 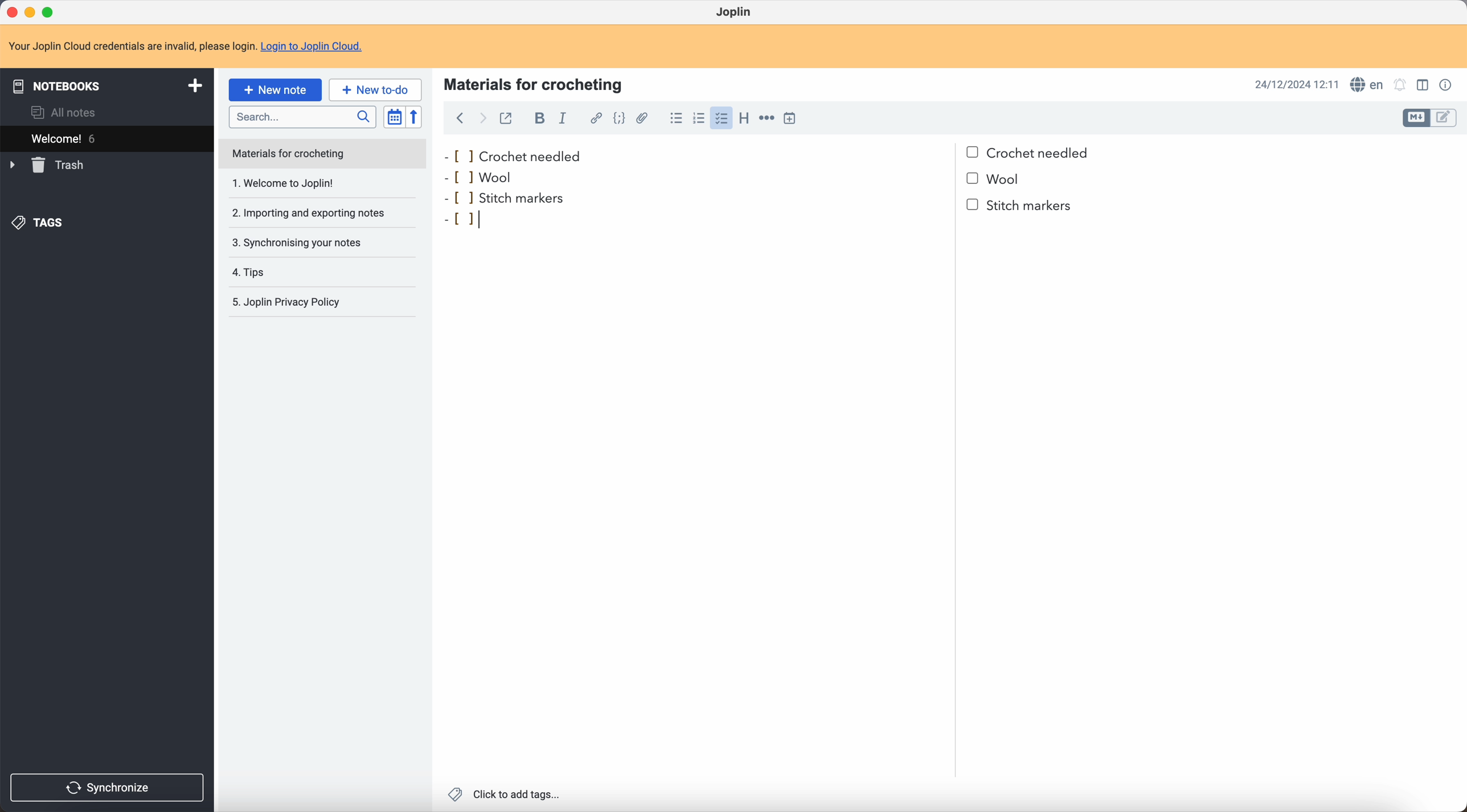 What do you see at coordinates (315, 184) in the screenshot?
I see `1. Welcome to Joplin!` at bounding box center [315, 184].